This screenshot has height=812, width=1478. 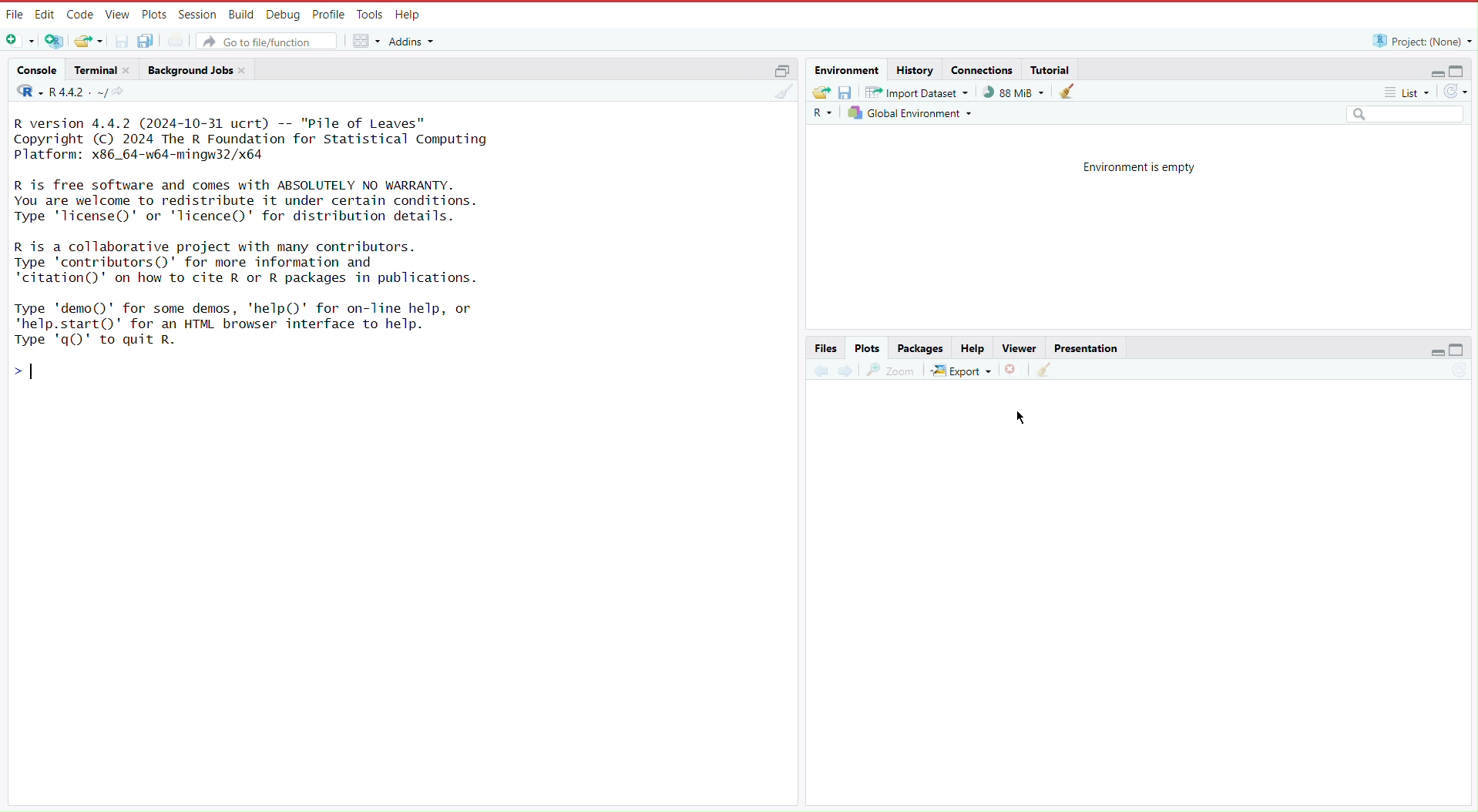 I want to click on Maximize, so click(x=781, y=69).